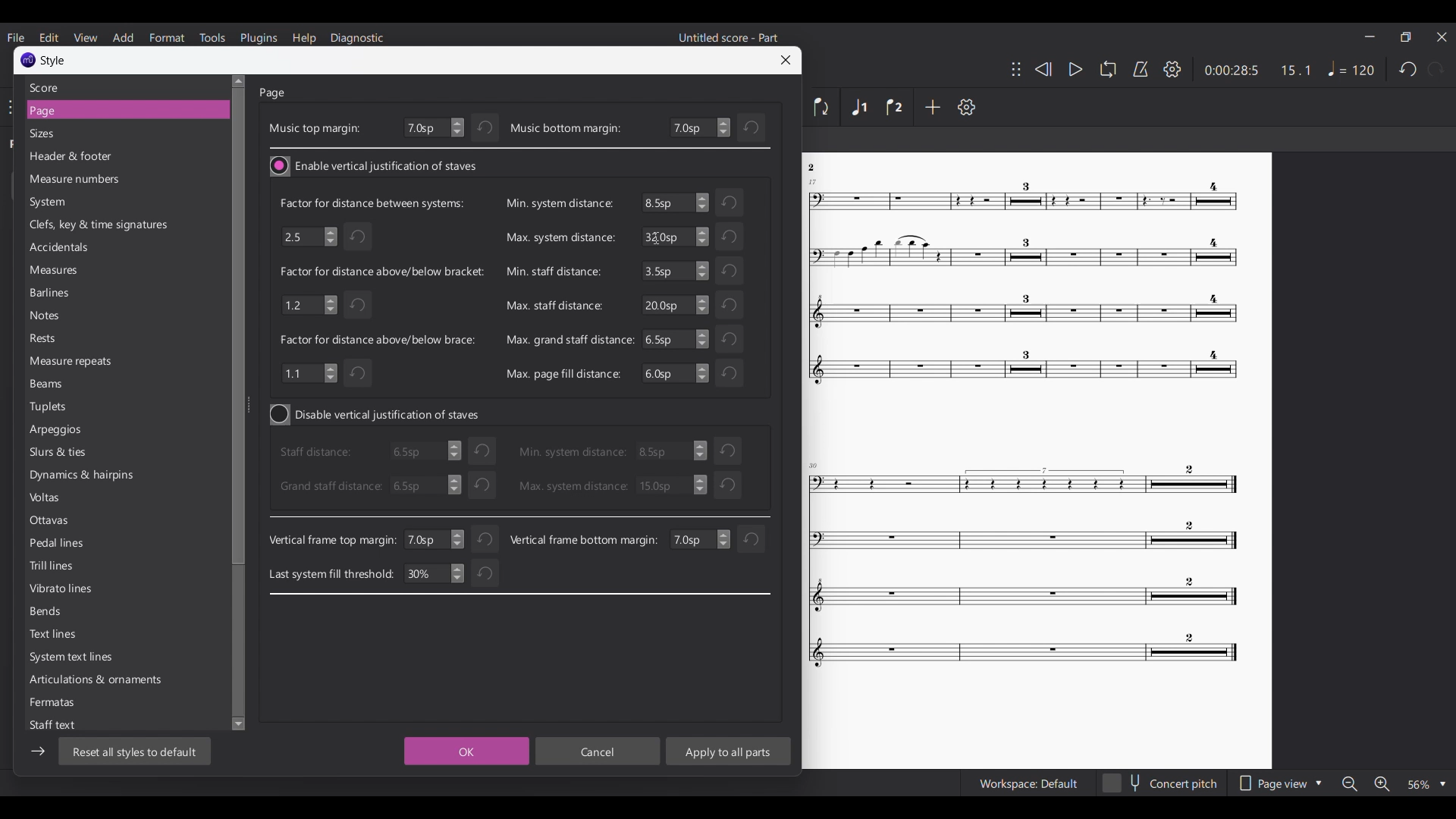 This screenshot has height=819, width=1456. What do you see at coordinates (752, 127) in the screenshot?
I see `Undo change` at bounding box center [752, 127].